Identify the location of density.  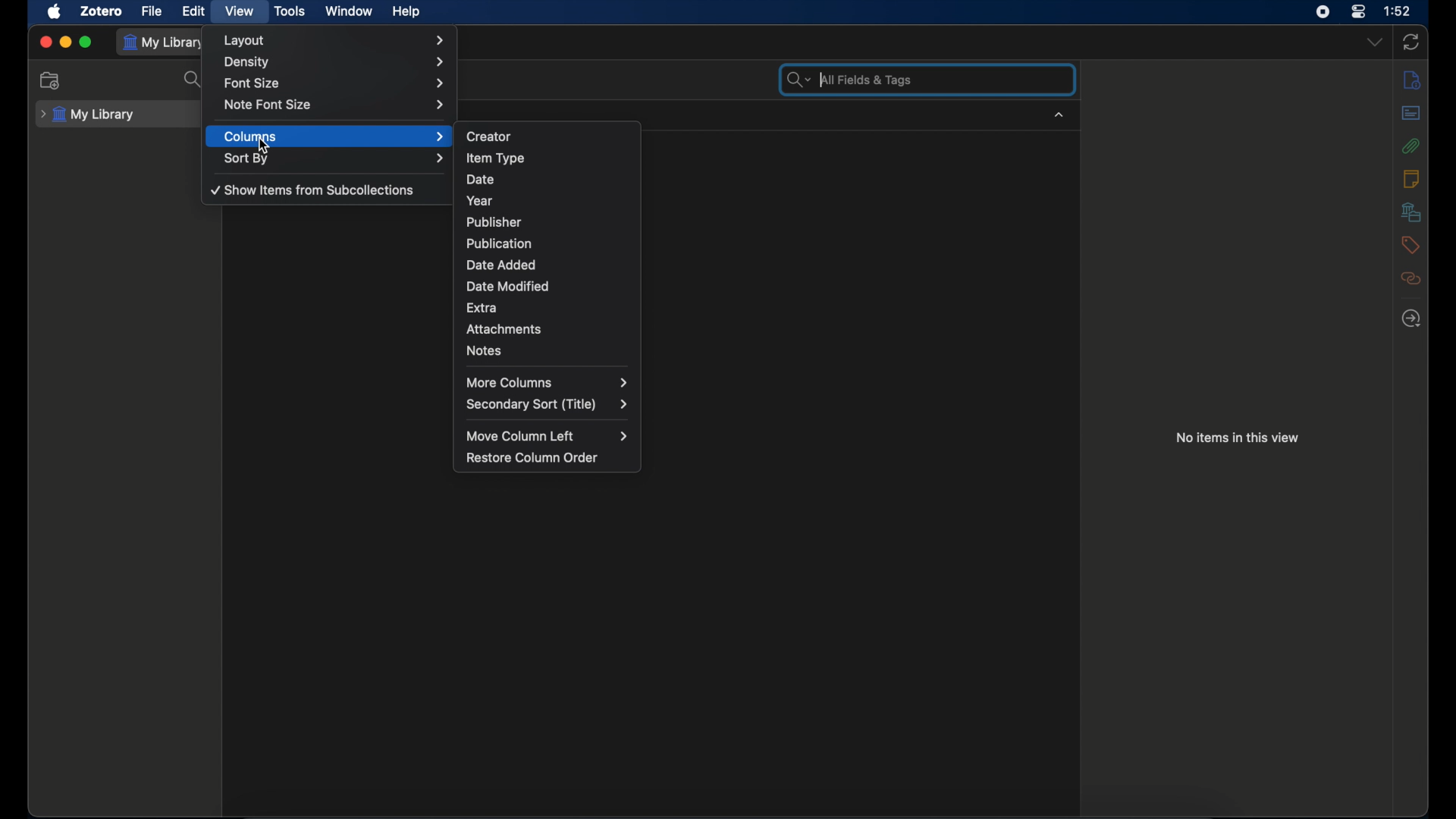
(335, 63).